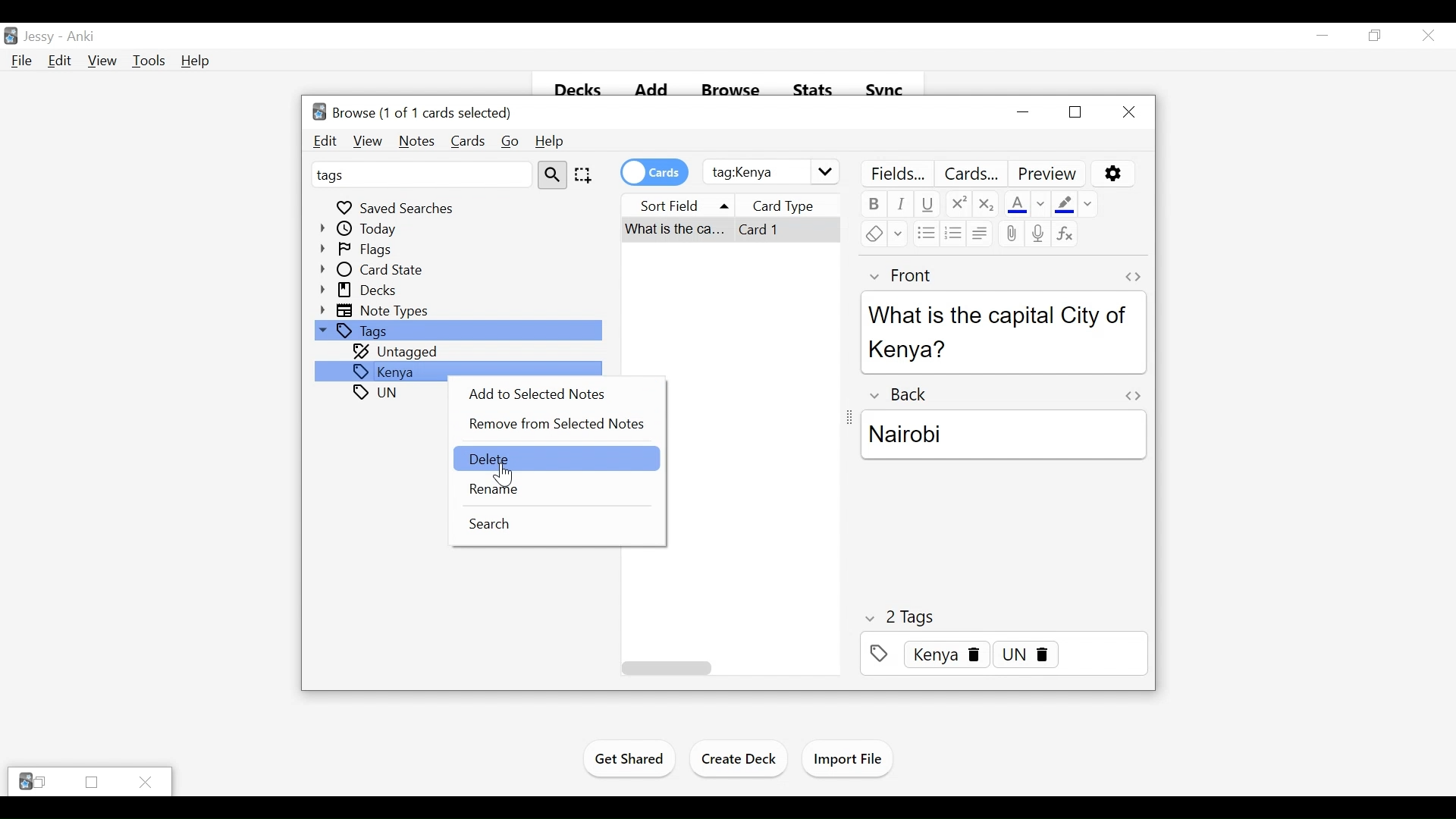 This screenshot has height=819, width=1456. What do you see at coordinates (553, 174) in the screenshot?
I see `search tool` at bounding box center [553, 174].